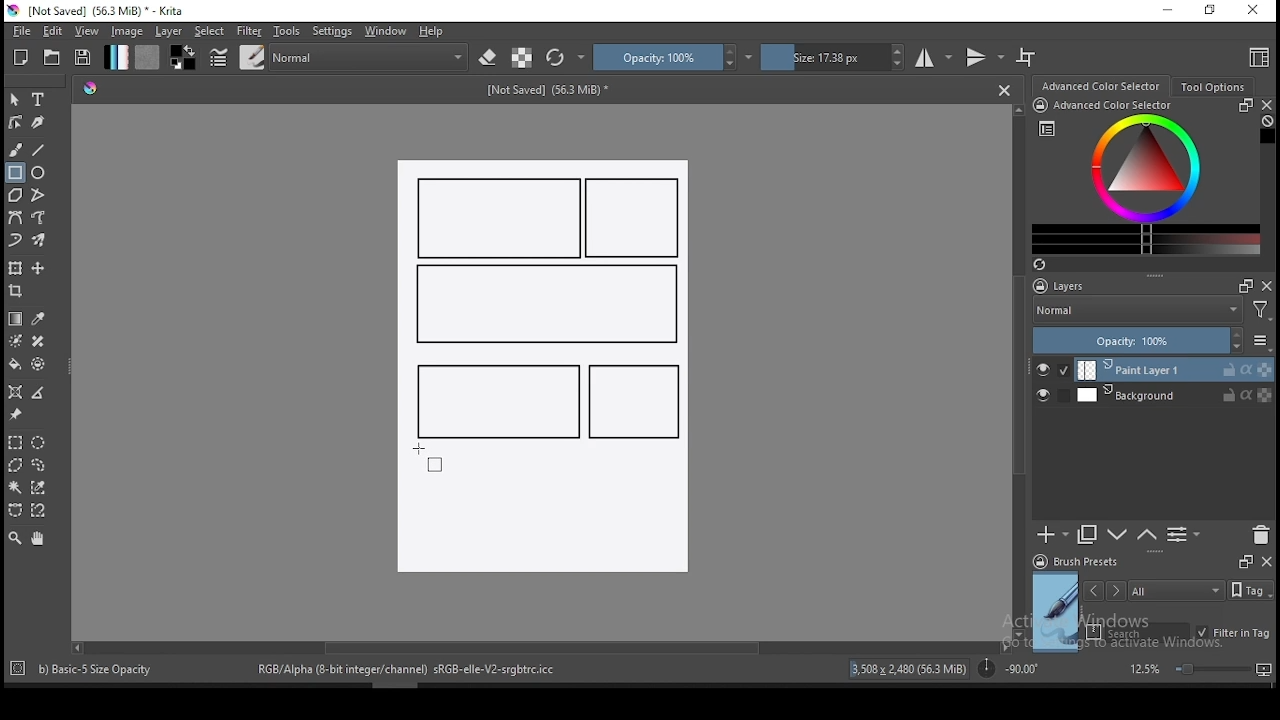  Describe the element at coordinates (1103, 85) in the screenshot. I see `advance color selector` at that location.